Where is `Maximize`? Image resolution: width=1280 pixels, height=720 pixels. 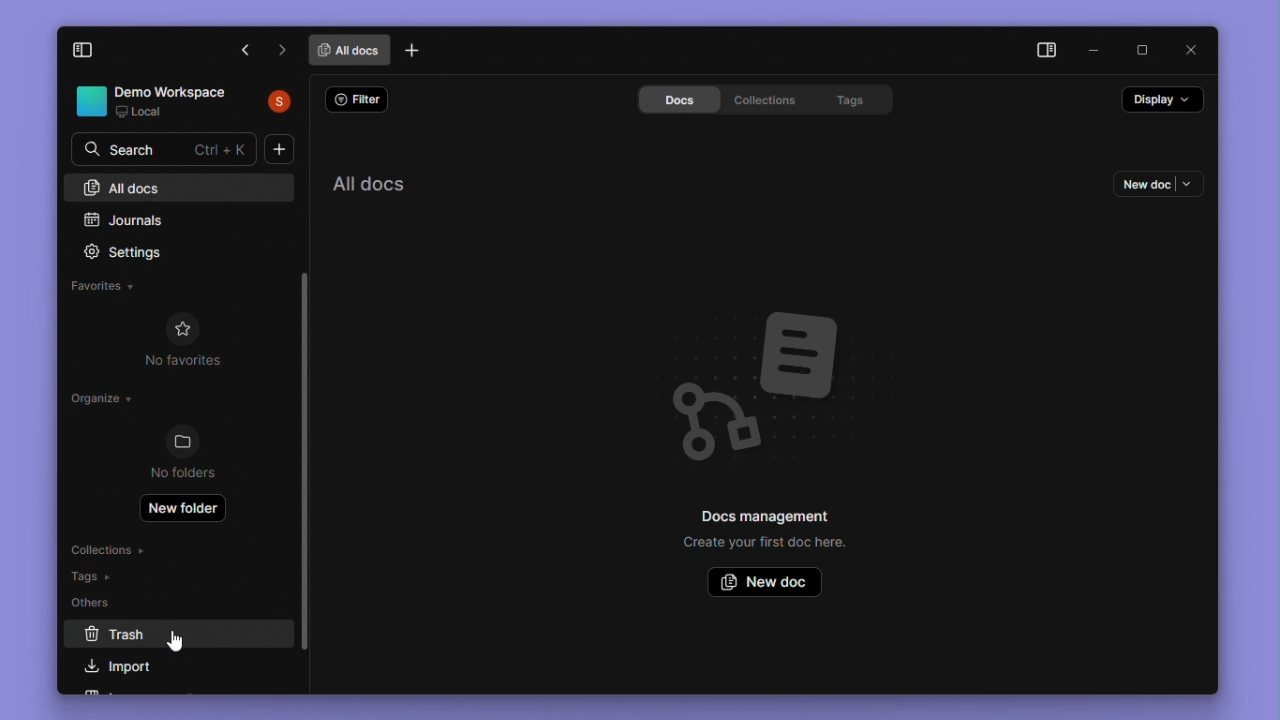 Maximize is located at coordinates (1147, 48).